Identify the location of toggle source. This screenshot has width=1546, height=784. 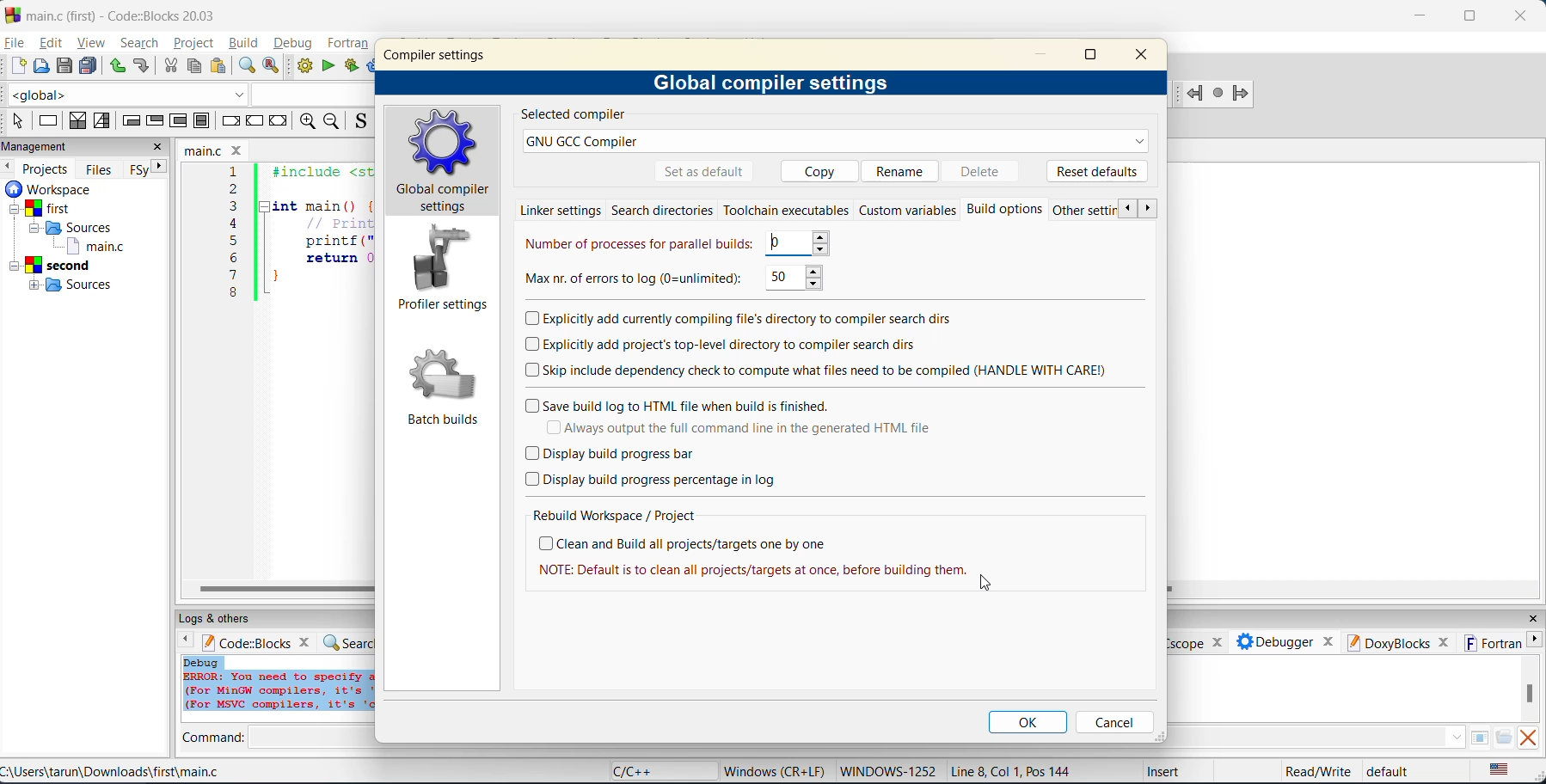
(359, 123).